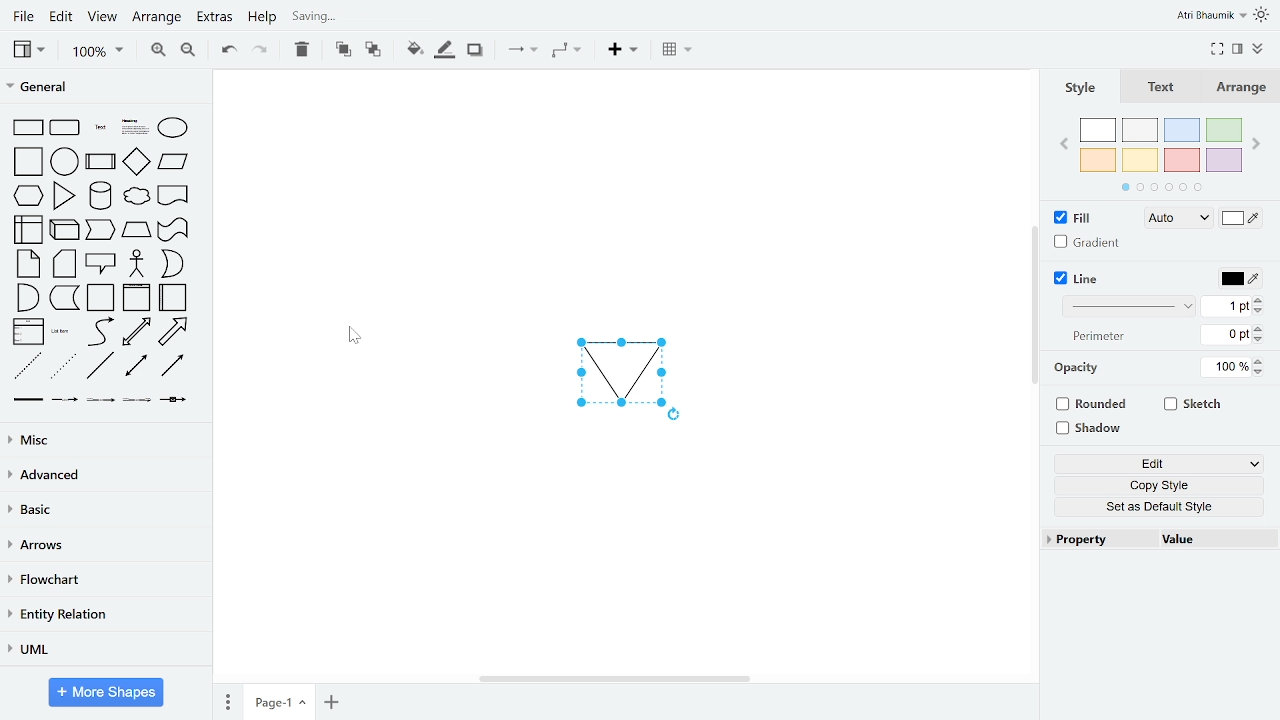 The height and width of the screenshot is (720, 1280). Describe the element at coordinates (372, 49) in the screenshot. I see `to back` at that location.